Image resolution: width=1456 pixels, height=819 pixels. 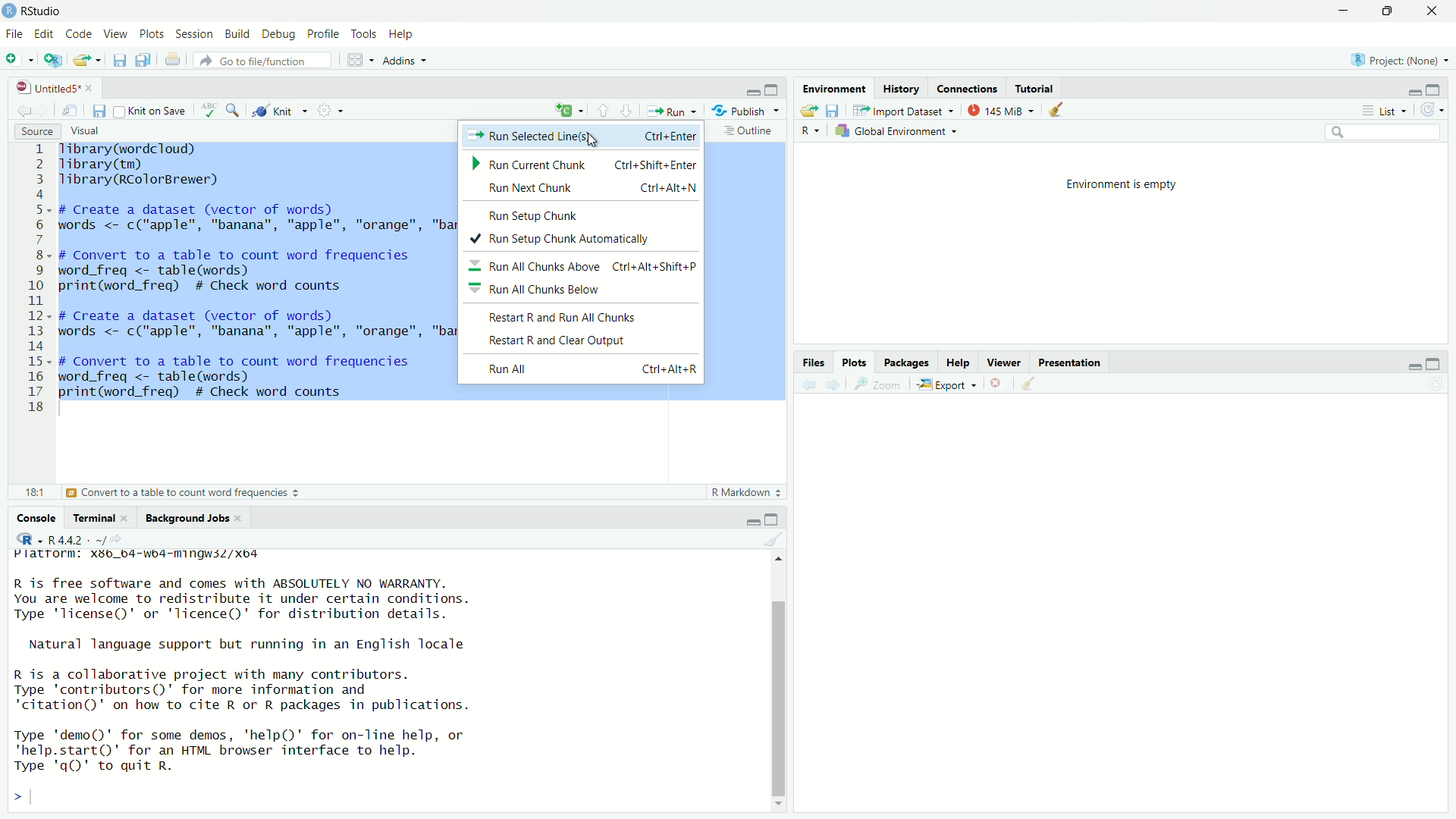 What do you see at coordinates (31, 491) in the screenshot?
I see `18:1` at bounding box center [31, 491].